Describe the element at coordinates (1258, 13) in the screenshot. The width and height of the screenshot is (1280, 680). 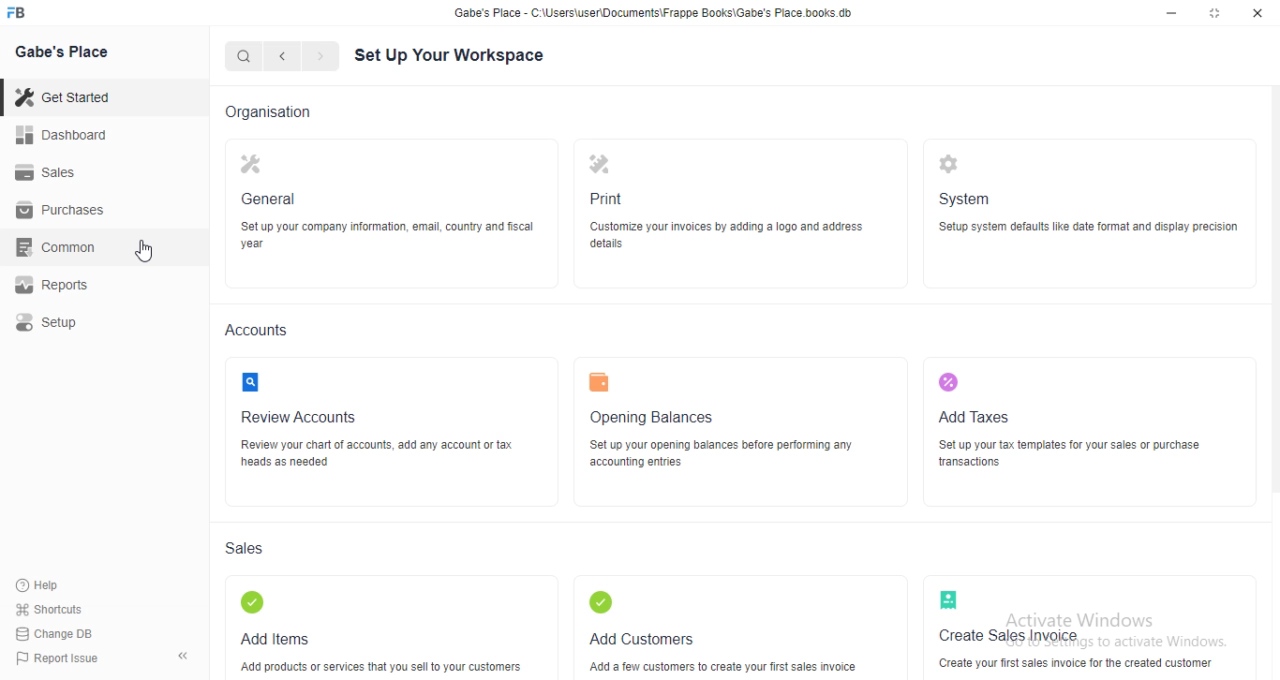
I see `close` at that location.